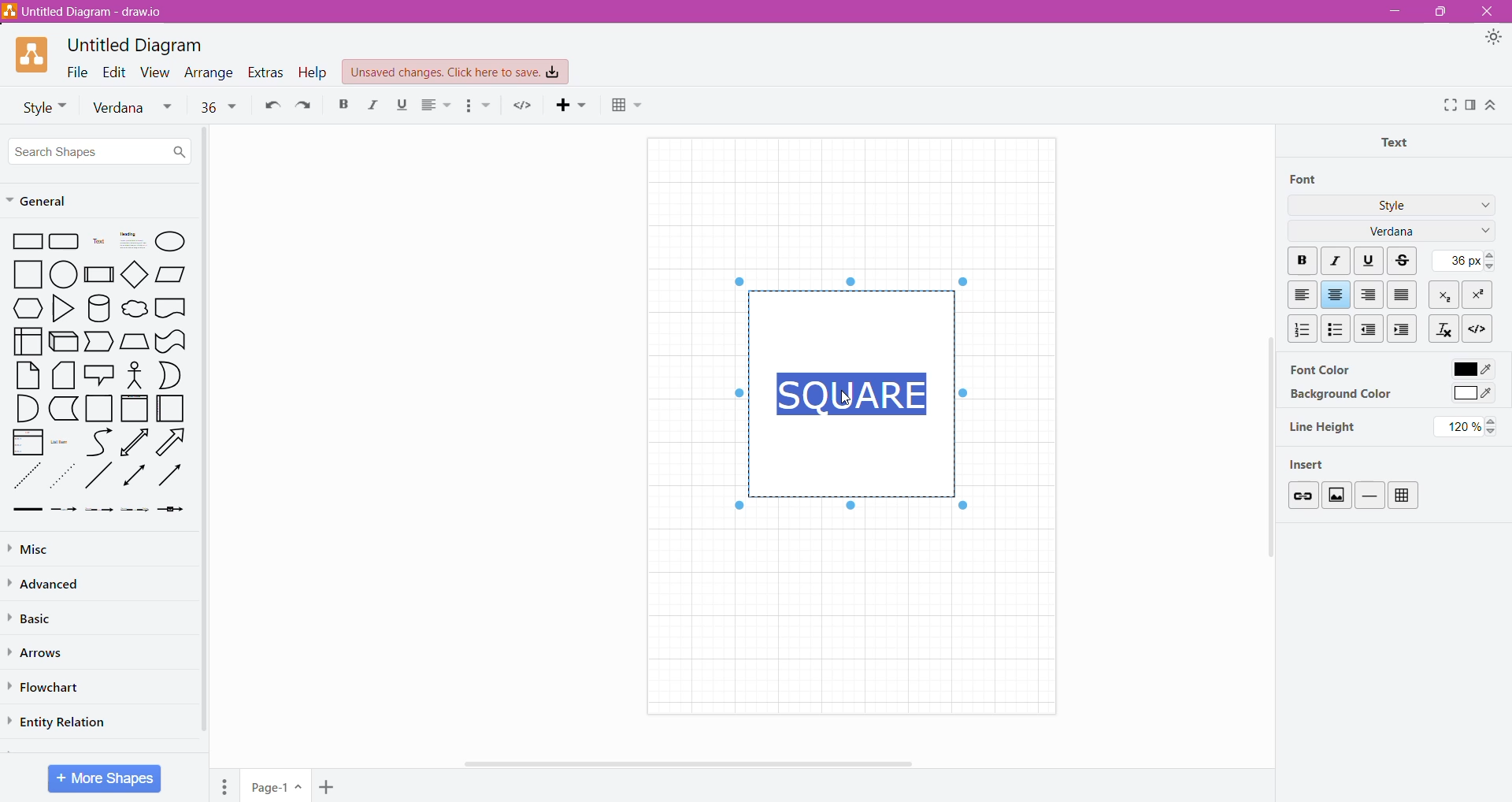 The image size is (1512, 802). Describe the element at coordinates (23, 274) in the screenshot. I see `square` at that location.